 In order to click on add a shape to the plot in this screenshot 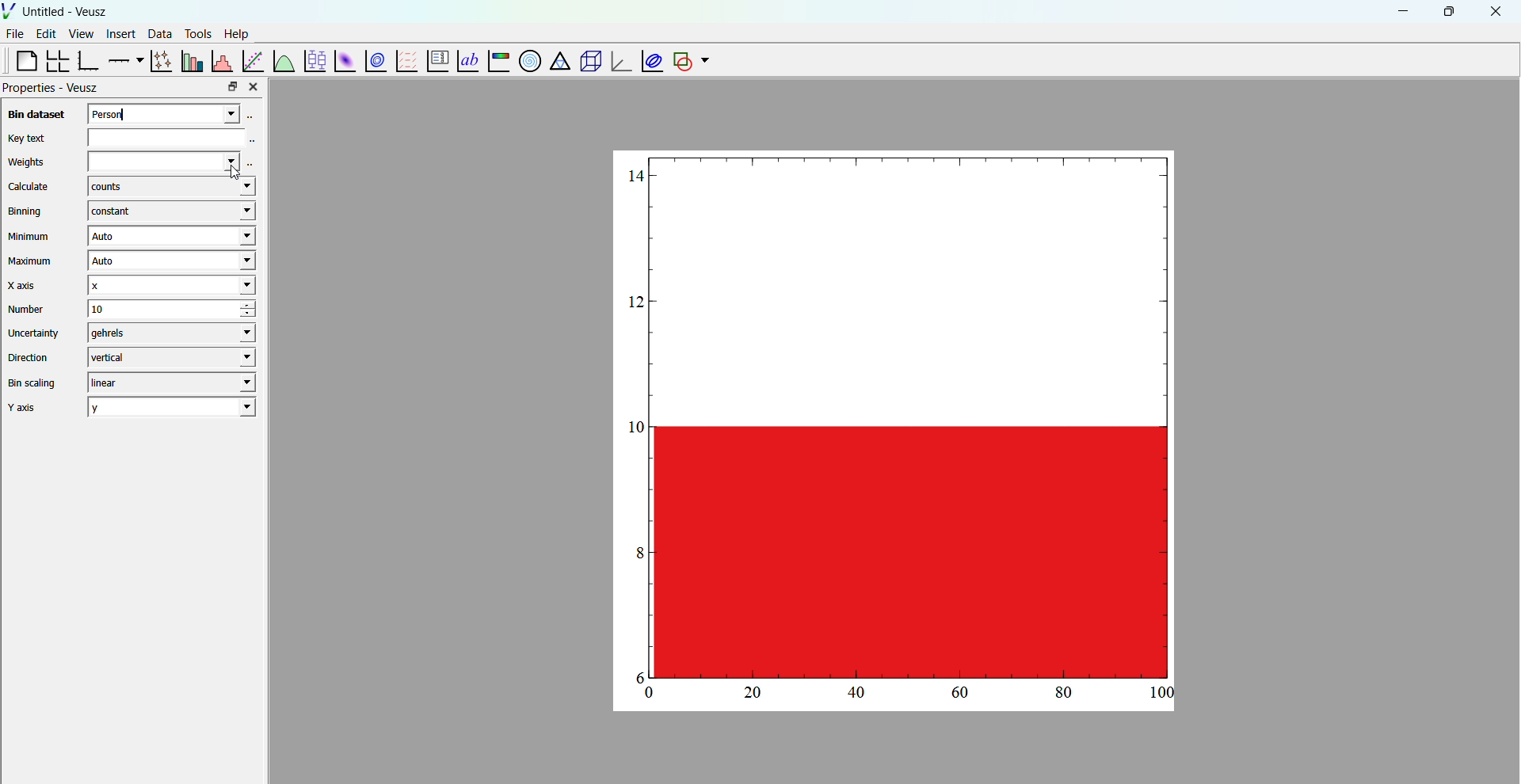, I will do `click(681, 61)`.